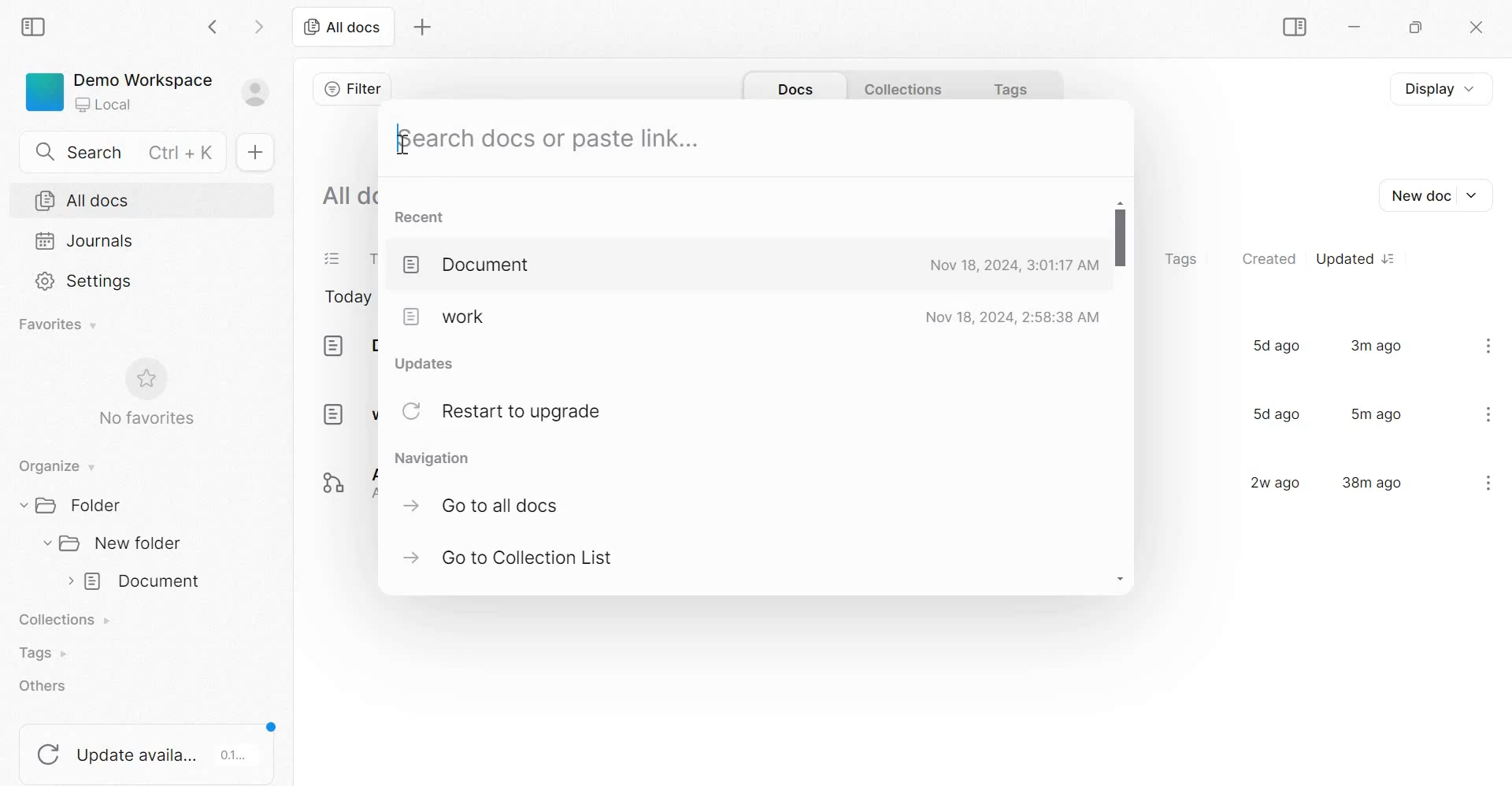  Describe the element at coordinates (793, 90) in the screenshot. I see `Docs` at that location.